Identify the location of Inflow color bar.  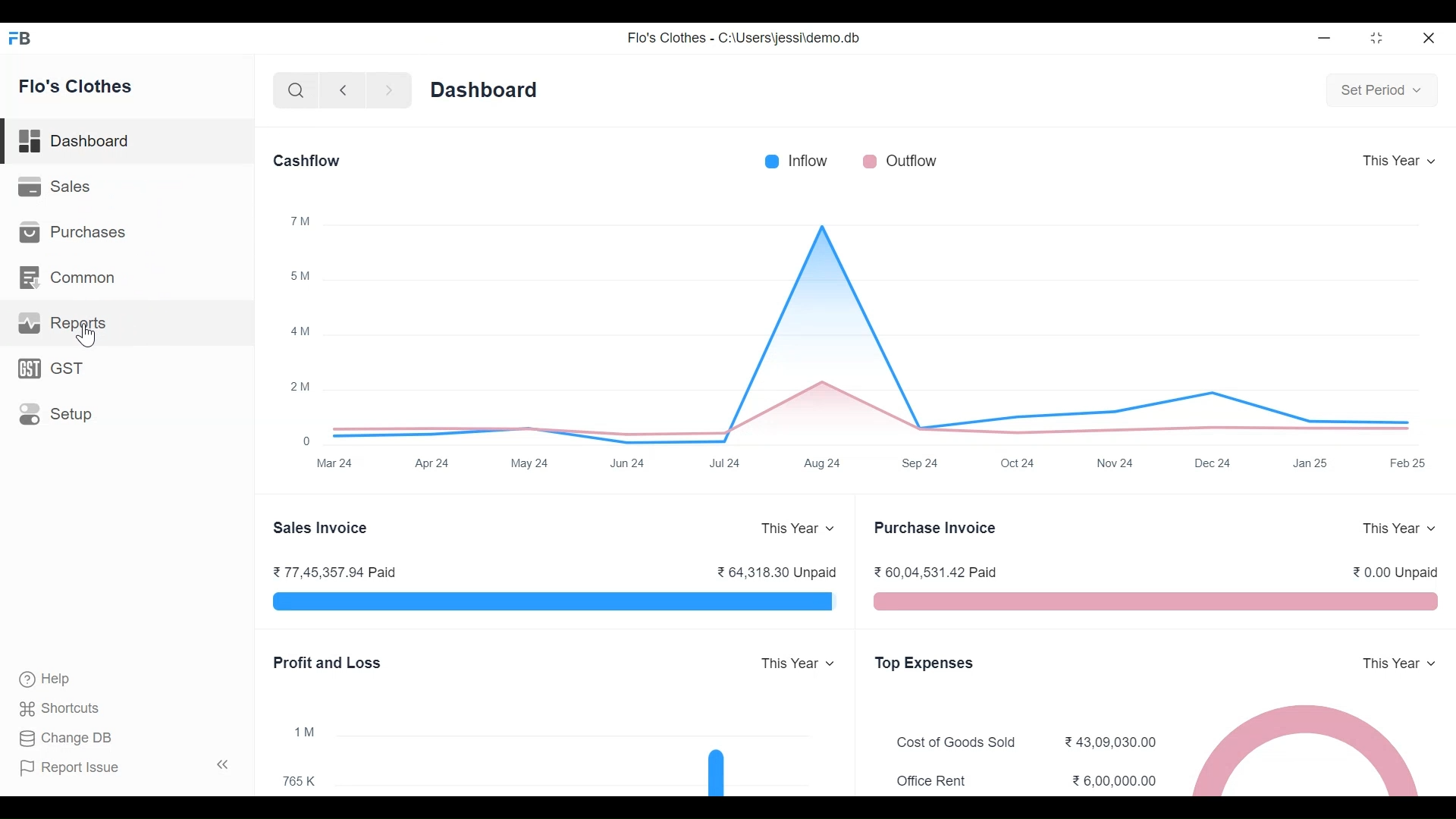
(772, 159).